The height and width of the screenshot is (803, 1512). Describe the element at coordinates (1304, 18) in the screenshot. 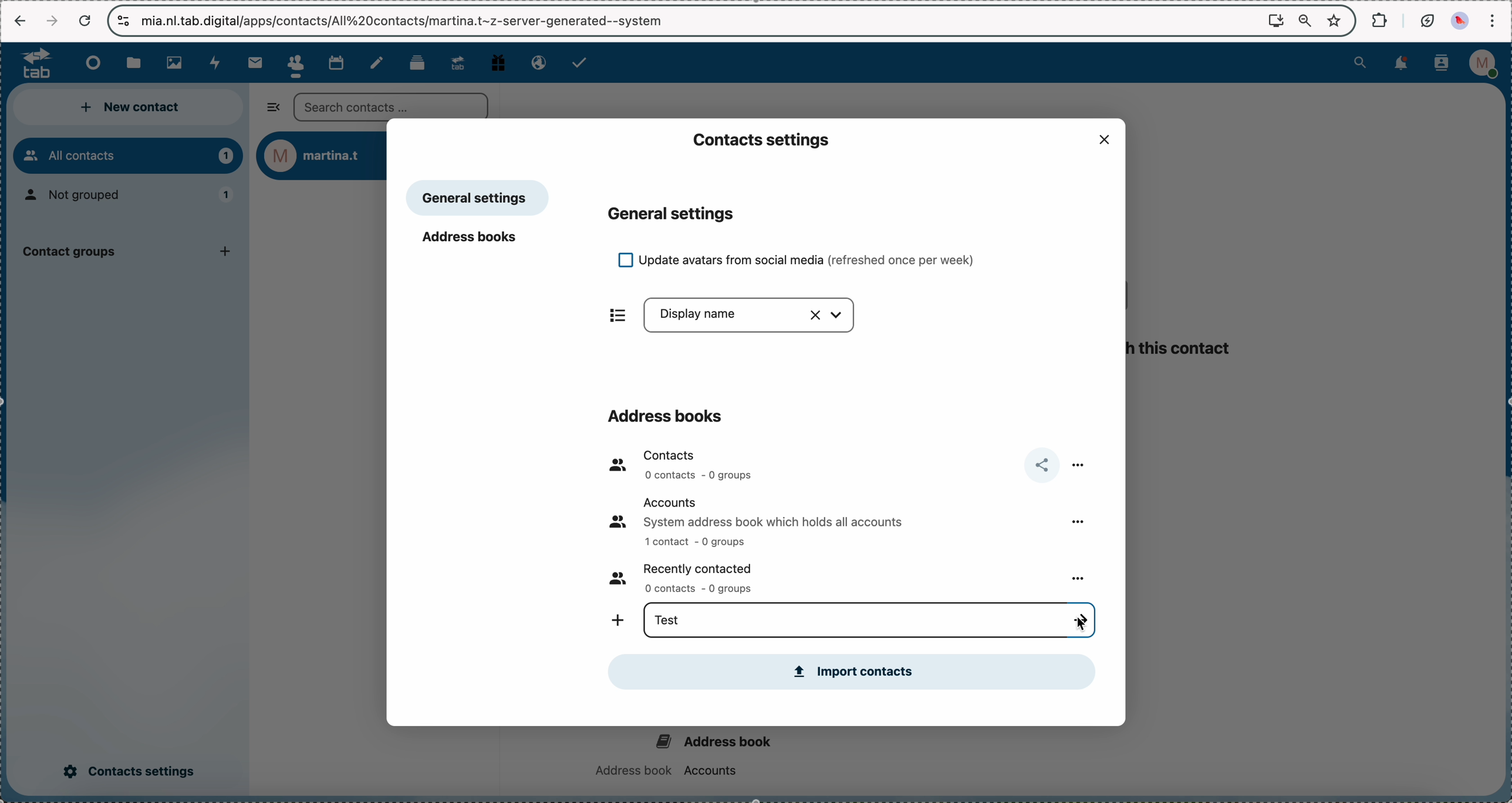

I see `zoom out` at that location.